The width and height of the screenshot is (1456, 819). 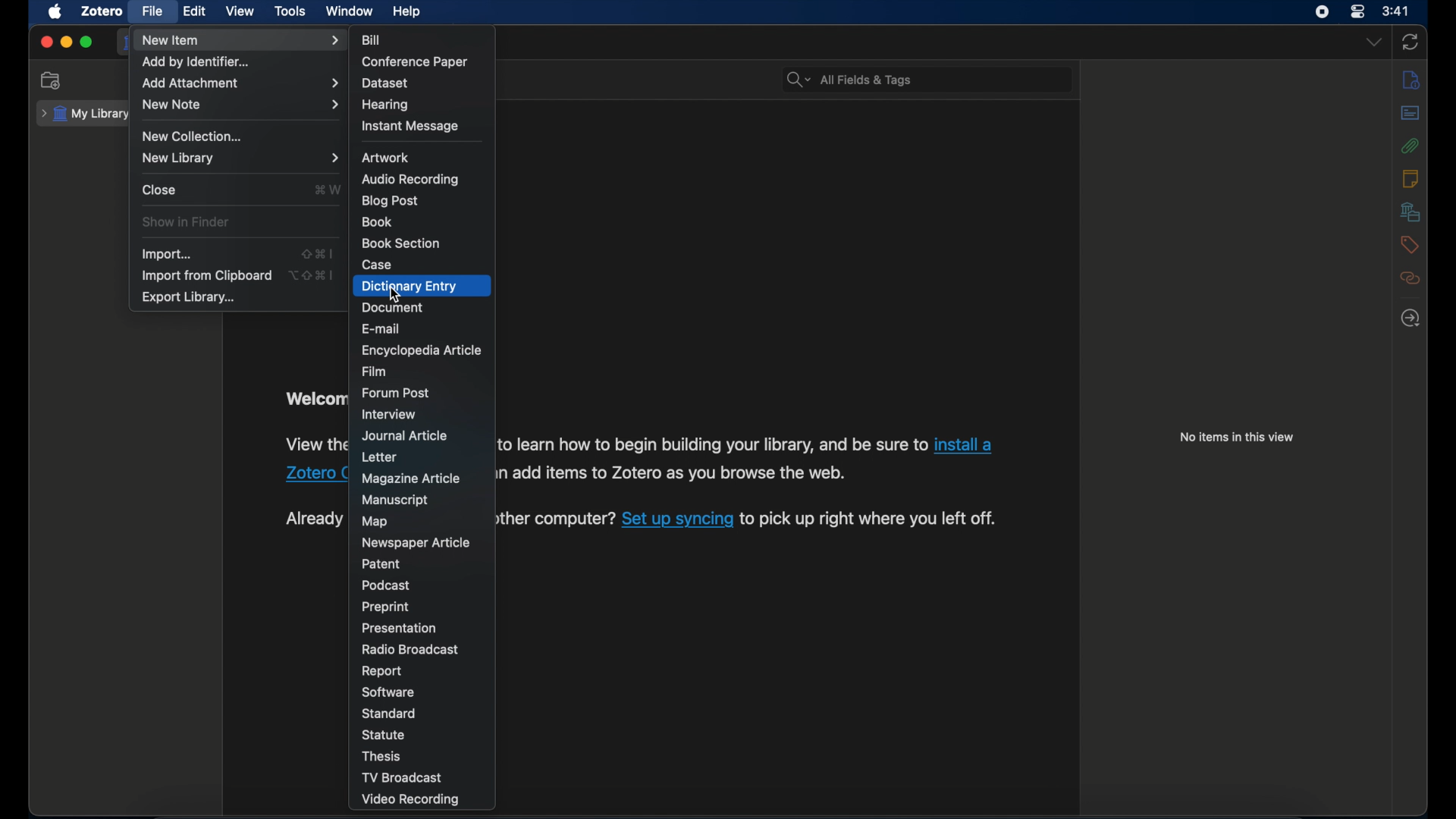 What do you see at coordinates (315, 399) in the screenshot?
I see `welcome to zotero` at bounding box center [315, 399].